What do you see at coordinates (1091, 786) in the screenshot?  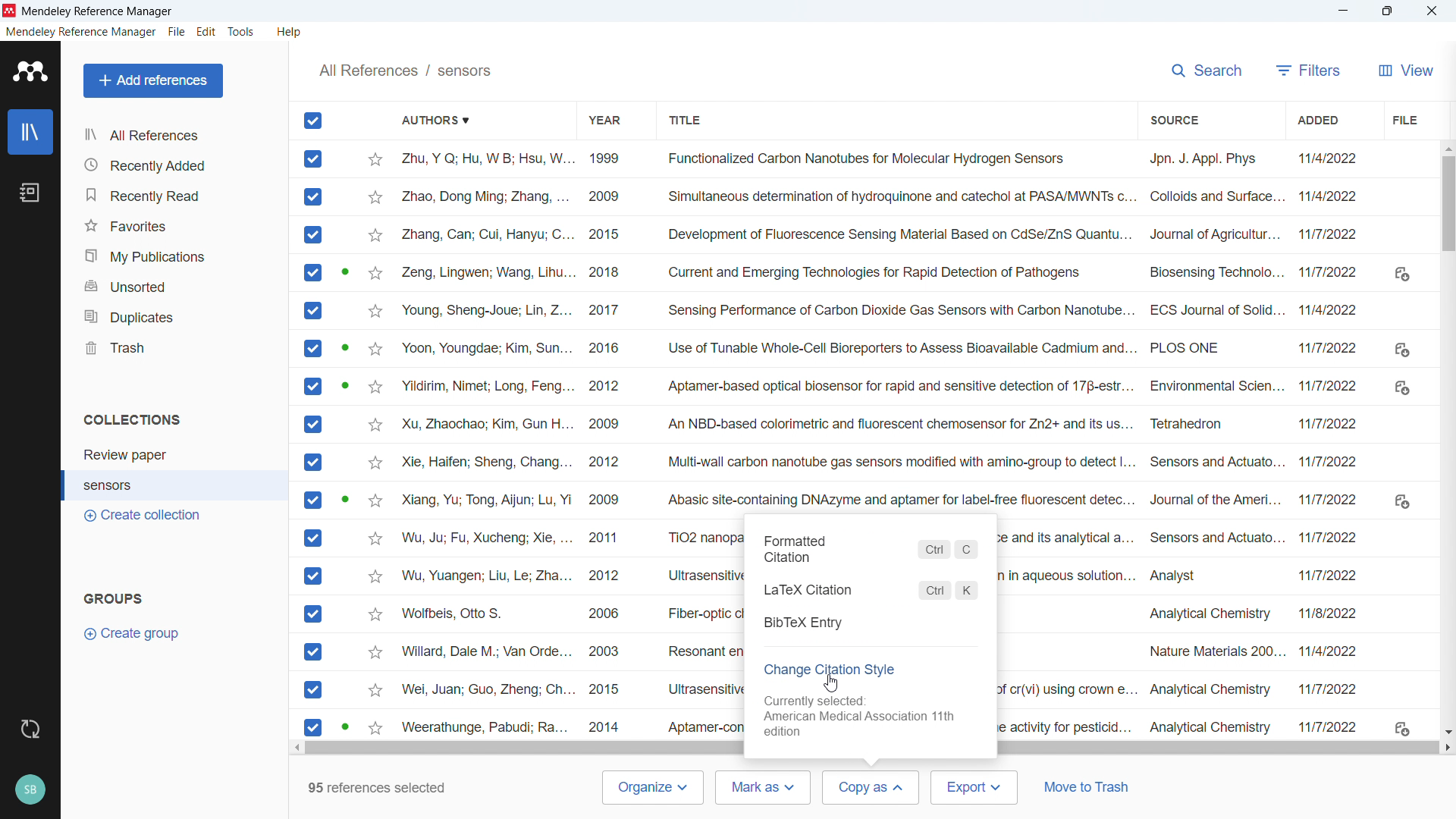 I see `Move to trash ` at bounding box center [1091, 786].